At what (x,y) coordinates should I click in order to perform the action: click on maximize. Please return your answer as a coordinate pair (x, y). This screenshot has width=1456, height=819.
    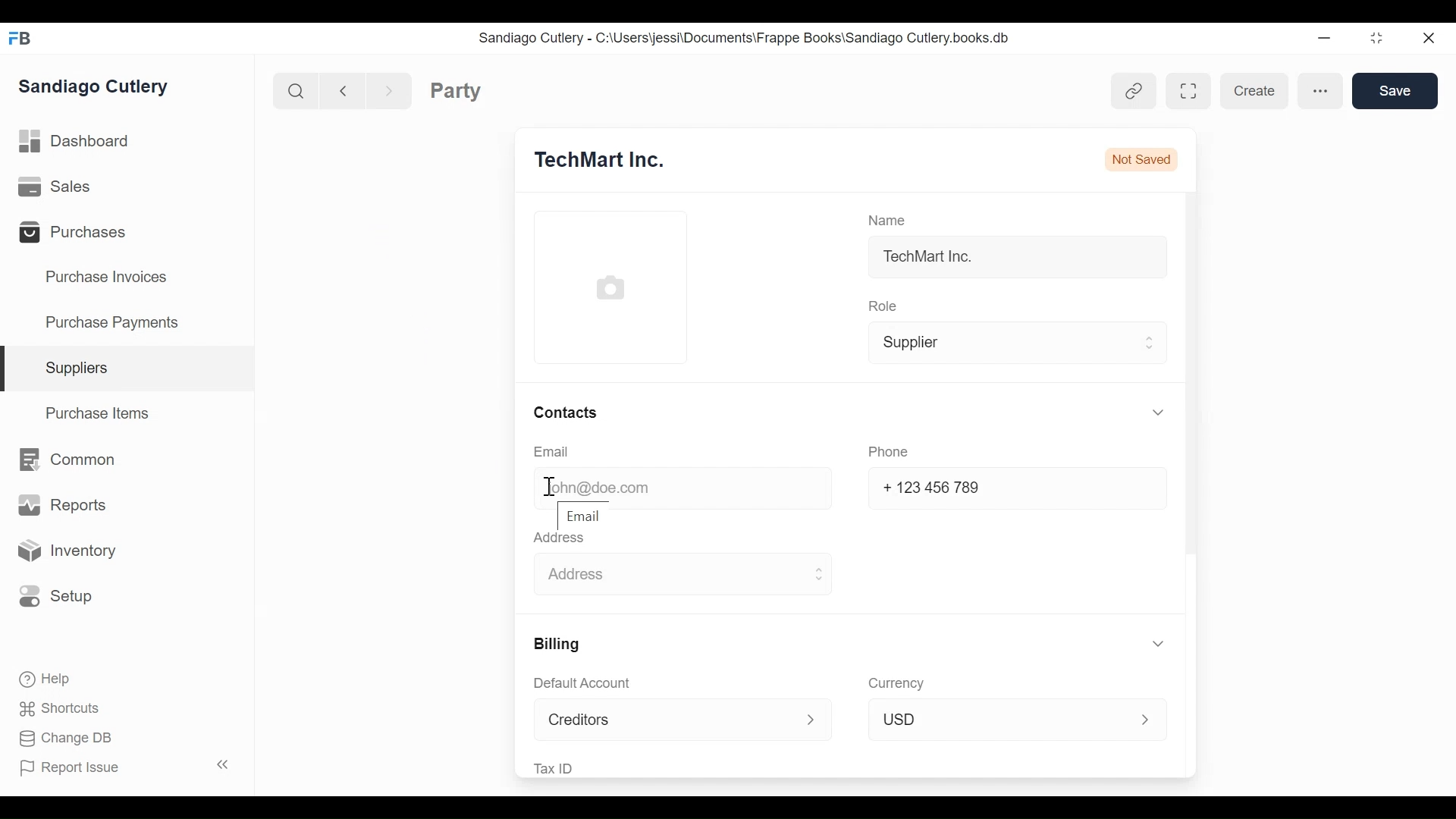
    Looking at the image, I should click on (1382, 39).